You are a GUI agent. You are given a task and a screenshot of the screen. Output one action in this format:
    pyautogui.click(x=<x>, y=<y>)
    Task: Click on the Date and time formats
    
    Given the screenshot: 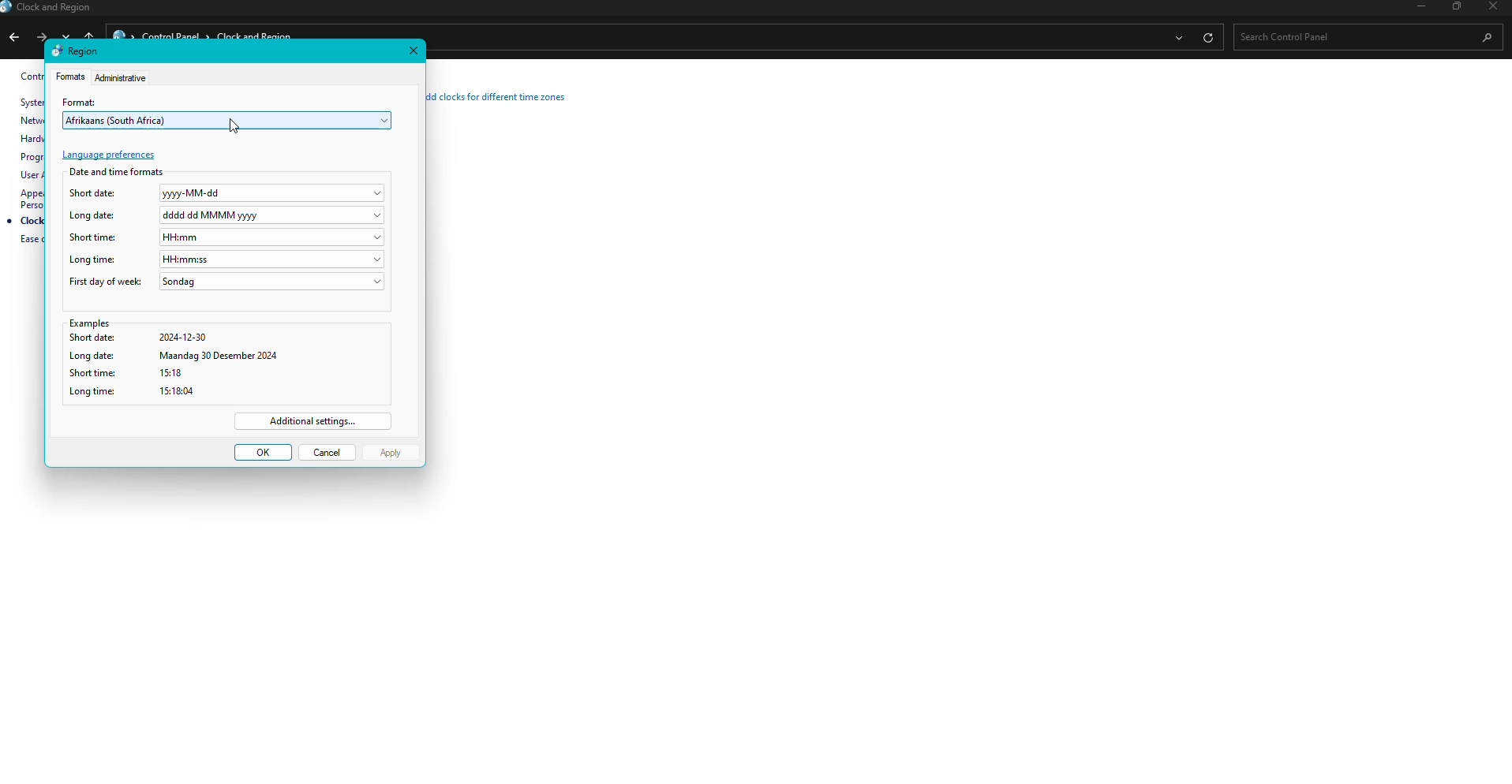 What is the action you would take?
    pyautogui.click(x=118, y=171)
    